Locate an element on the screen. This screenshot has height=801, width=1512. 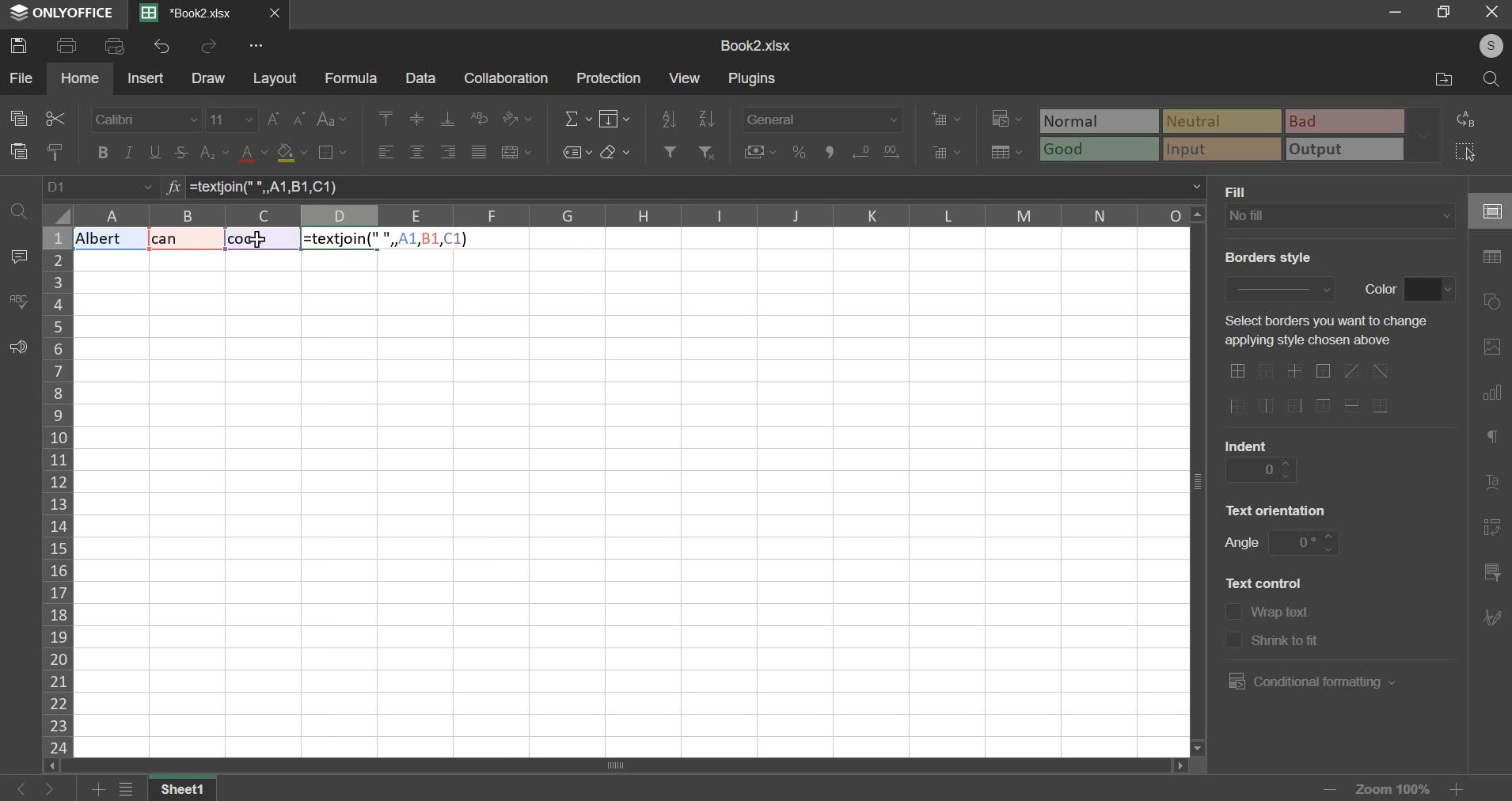
=textjoin(" ", A1, B1, C1) is located at coordinates (697, 187).